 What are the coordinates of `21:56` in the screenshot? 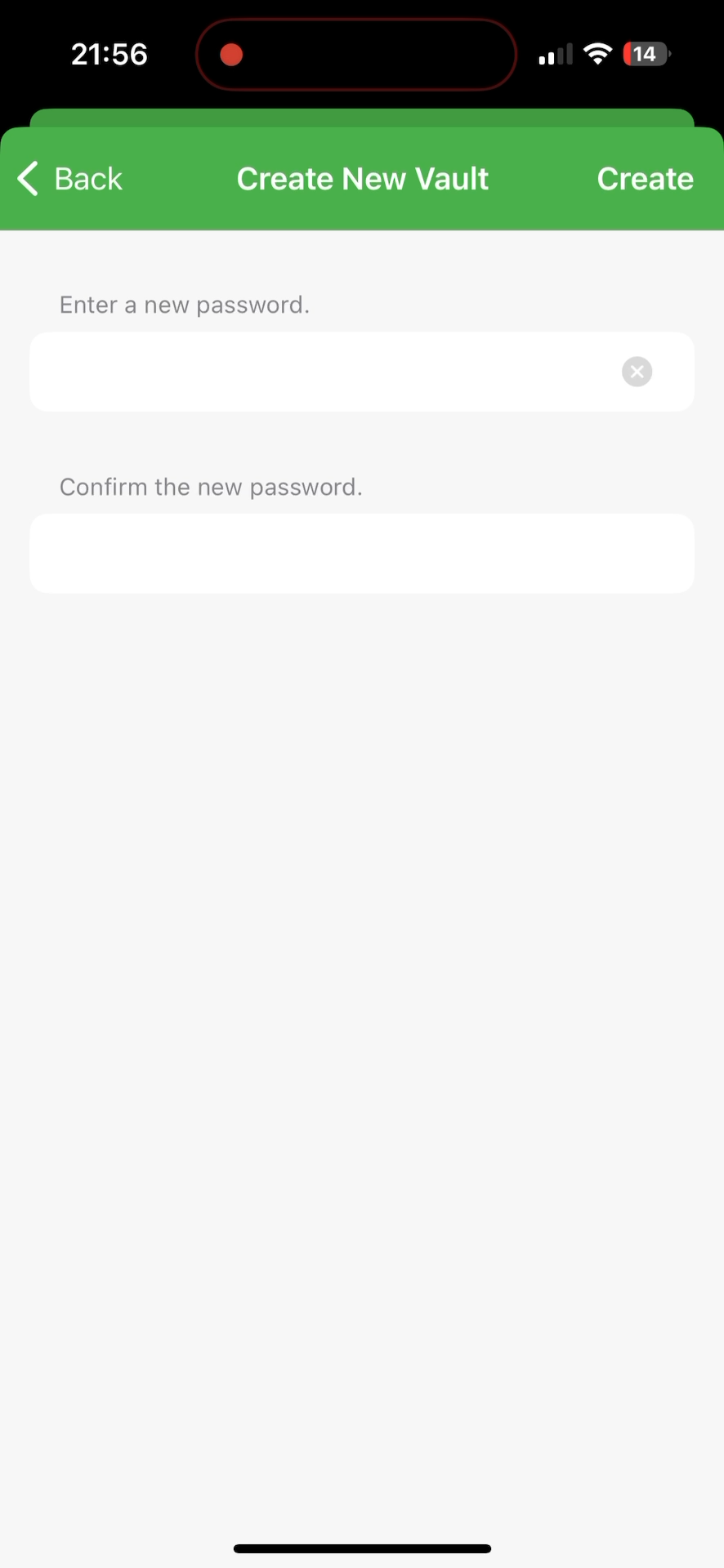 It's located at (107, 57).